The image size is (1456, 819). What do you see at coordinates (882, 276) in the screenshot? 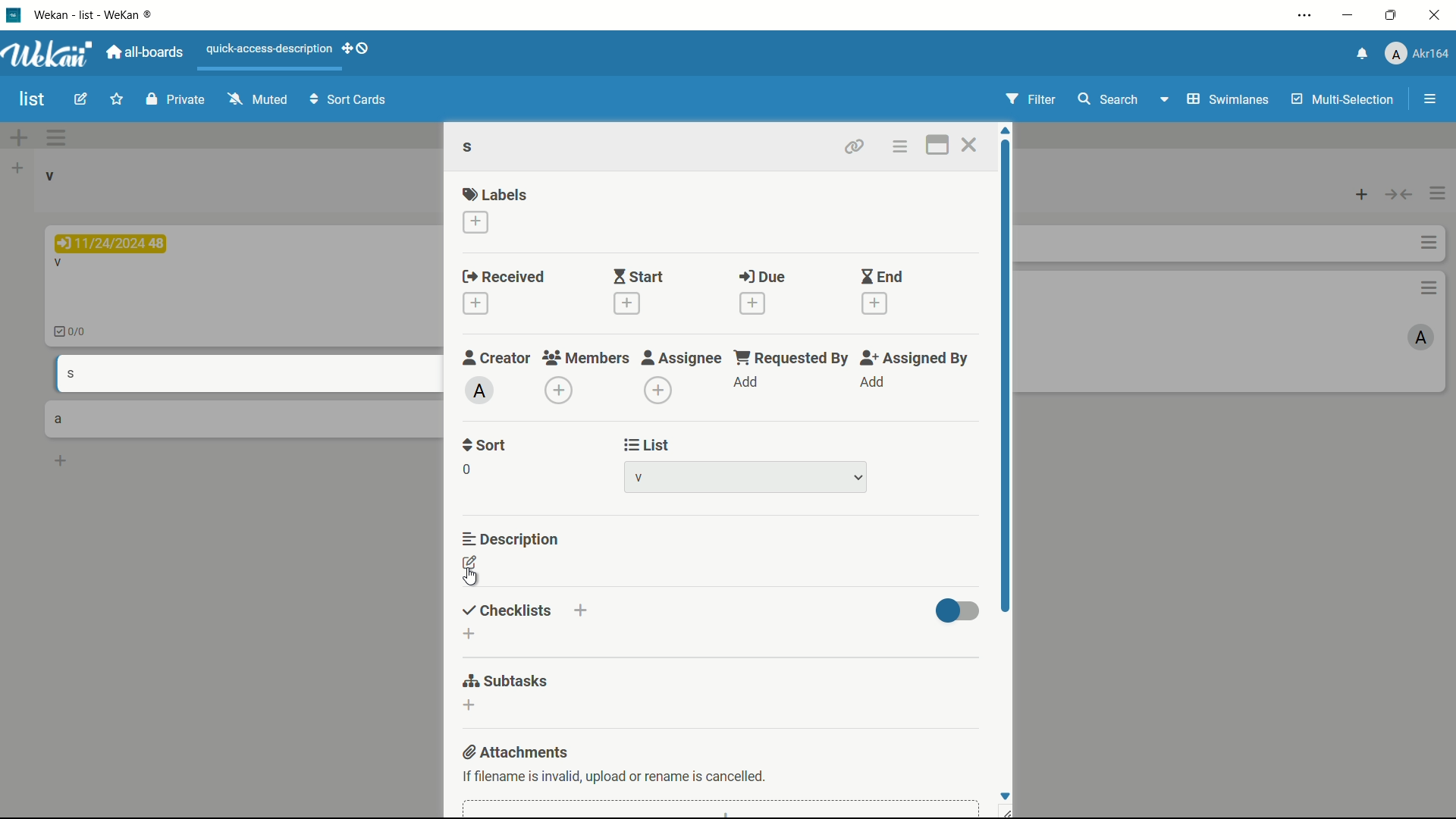
I see `end` at bounding box center [882, 276].